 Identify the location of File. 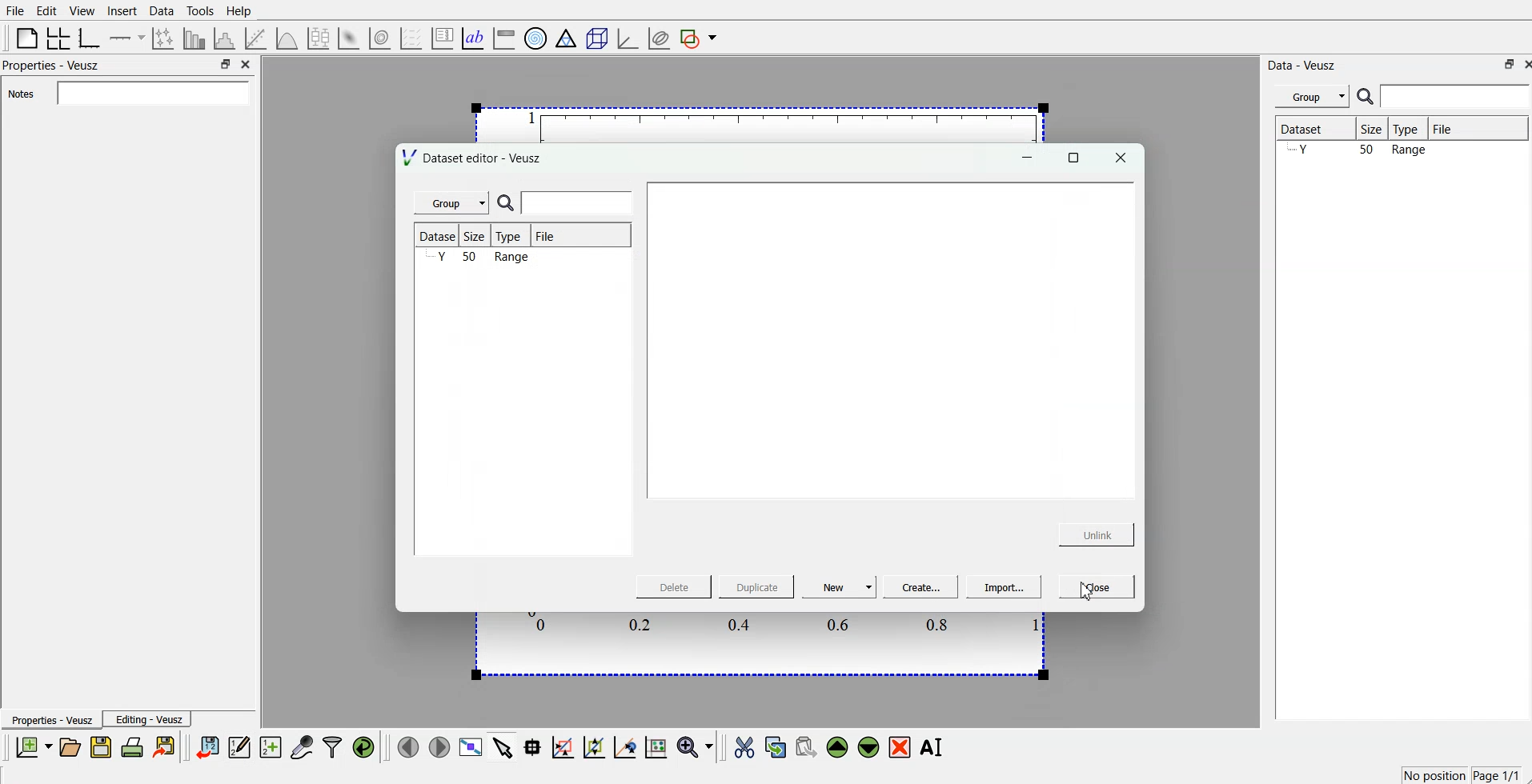
(16, 10).